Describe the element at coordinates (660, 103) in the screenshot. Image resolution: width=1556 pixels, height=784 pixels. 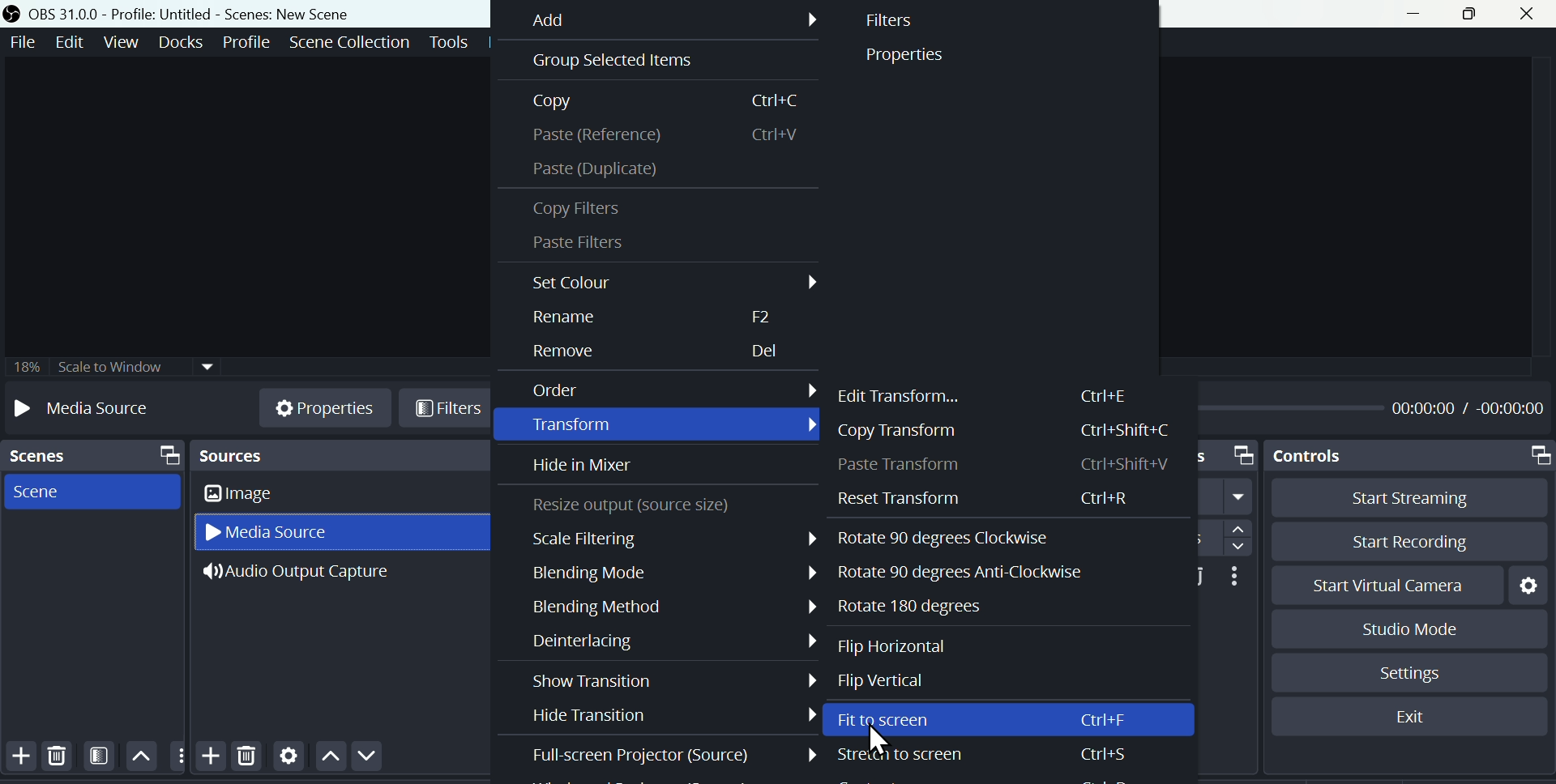
I see `Copy` at that location.